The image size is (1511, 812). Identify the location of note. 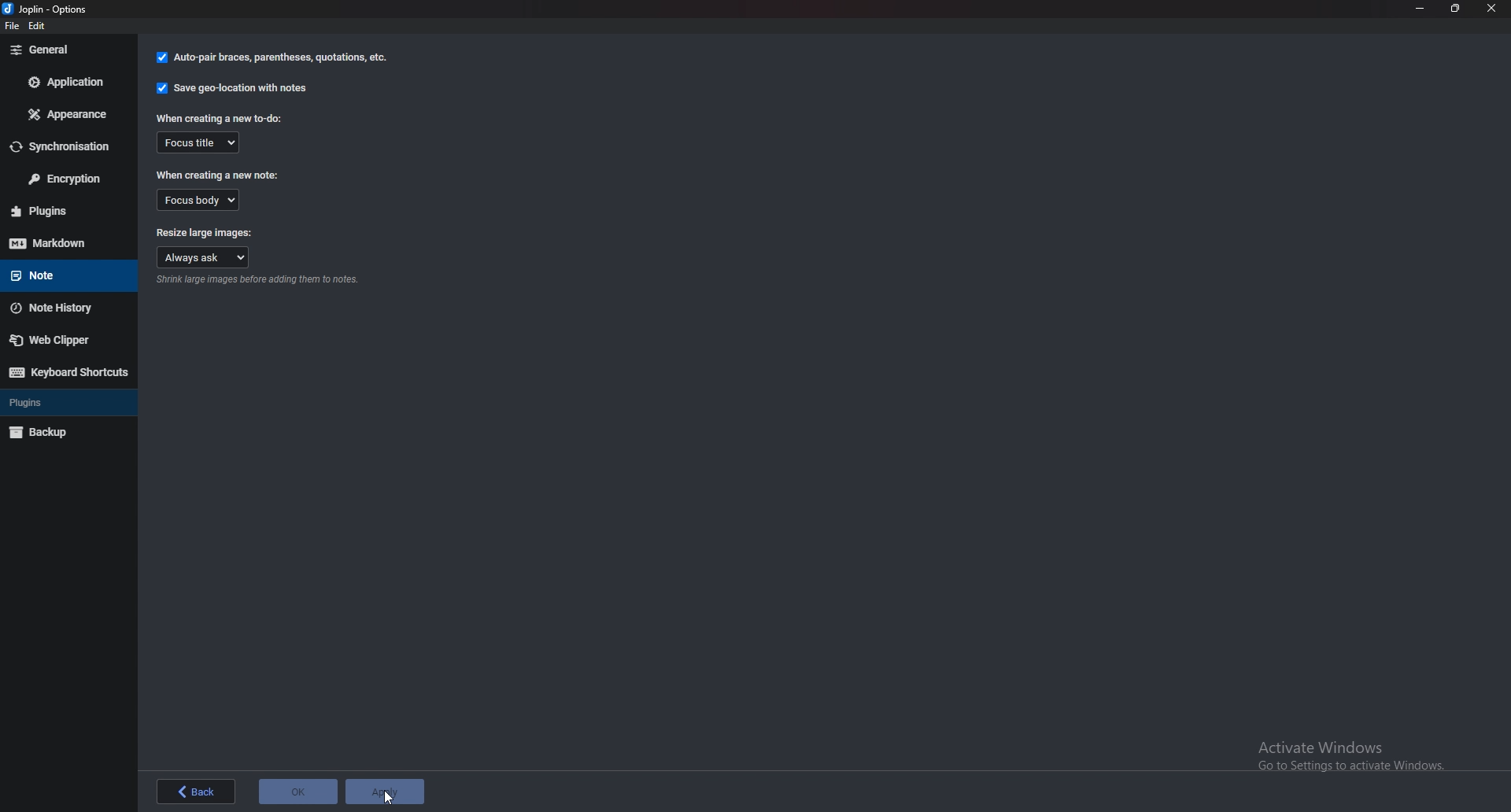
(60, 276).